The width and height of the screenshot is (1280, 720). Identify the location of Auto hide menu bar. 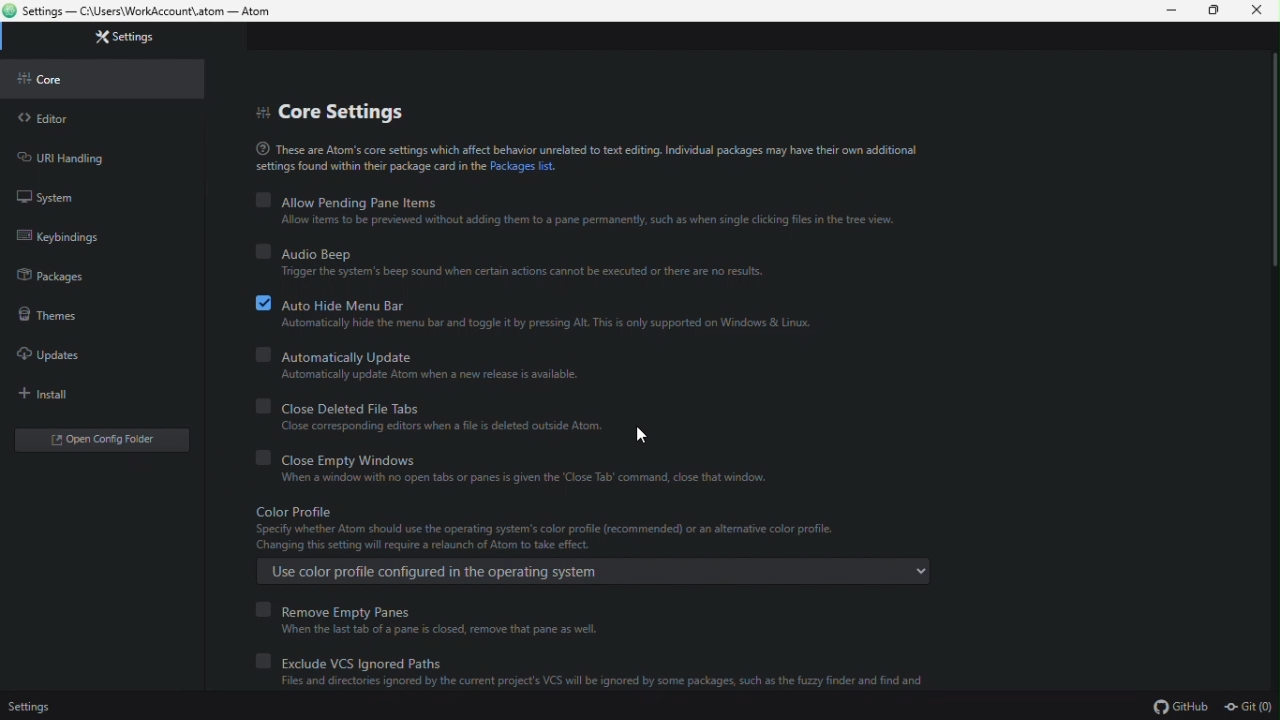
(543, 311).